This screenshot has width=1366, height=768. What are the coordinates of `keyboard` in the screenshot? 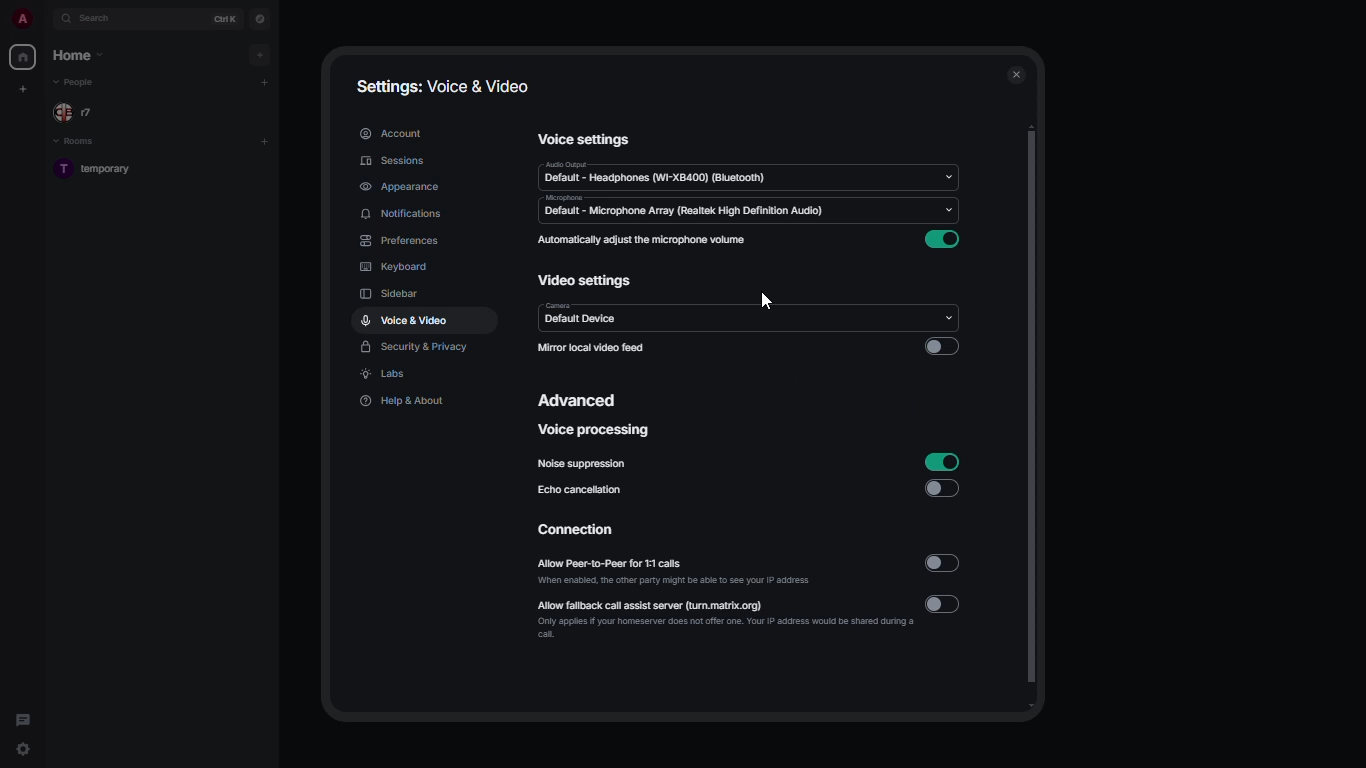 It's located at (395, 266).